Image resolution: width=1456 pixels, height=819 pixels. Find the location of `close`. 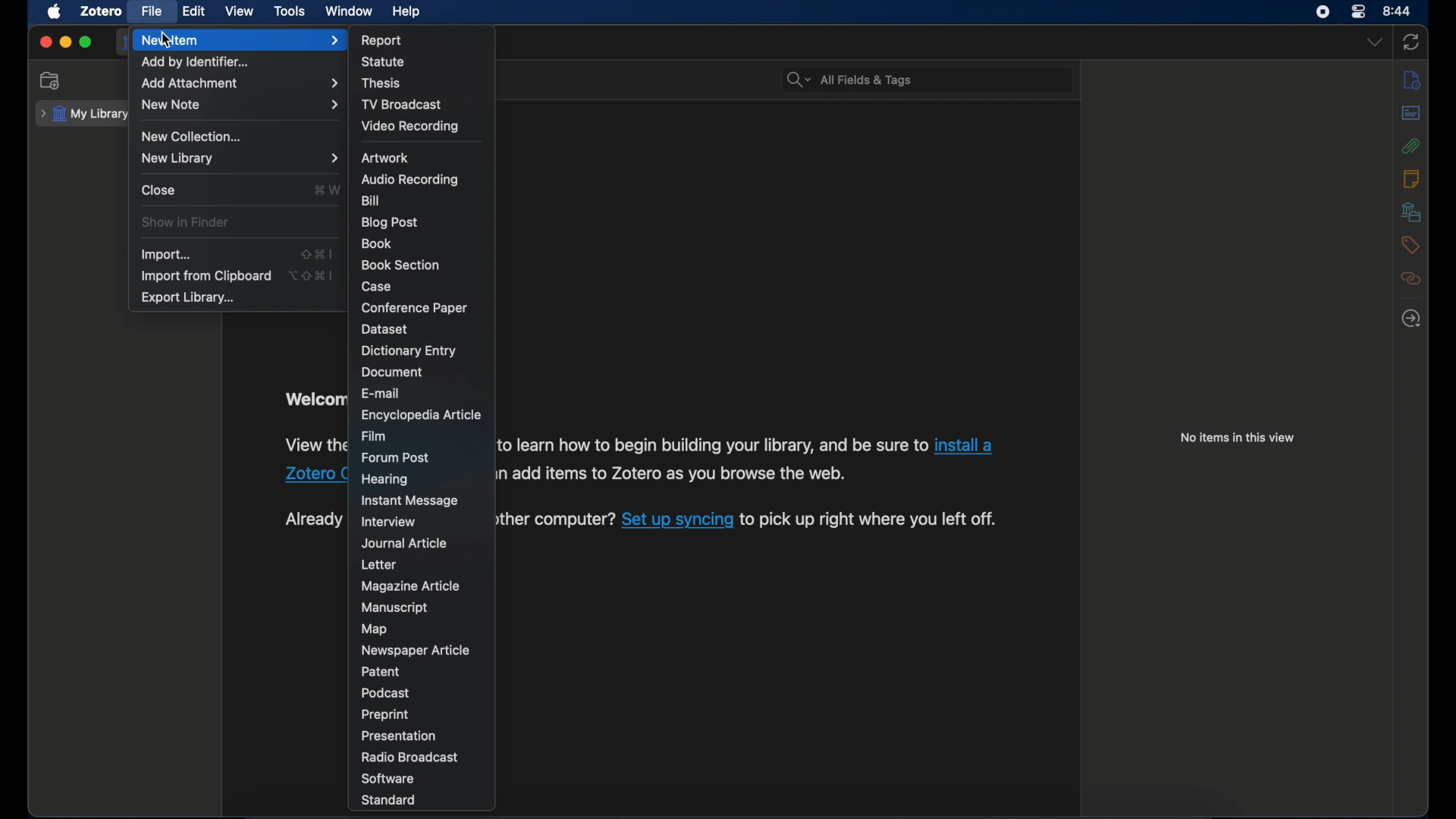

close is located at coordinates (159, 190).